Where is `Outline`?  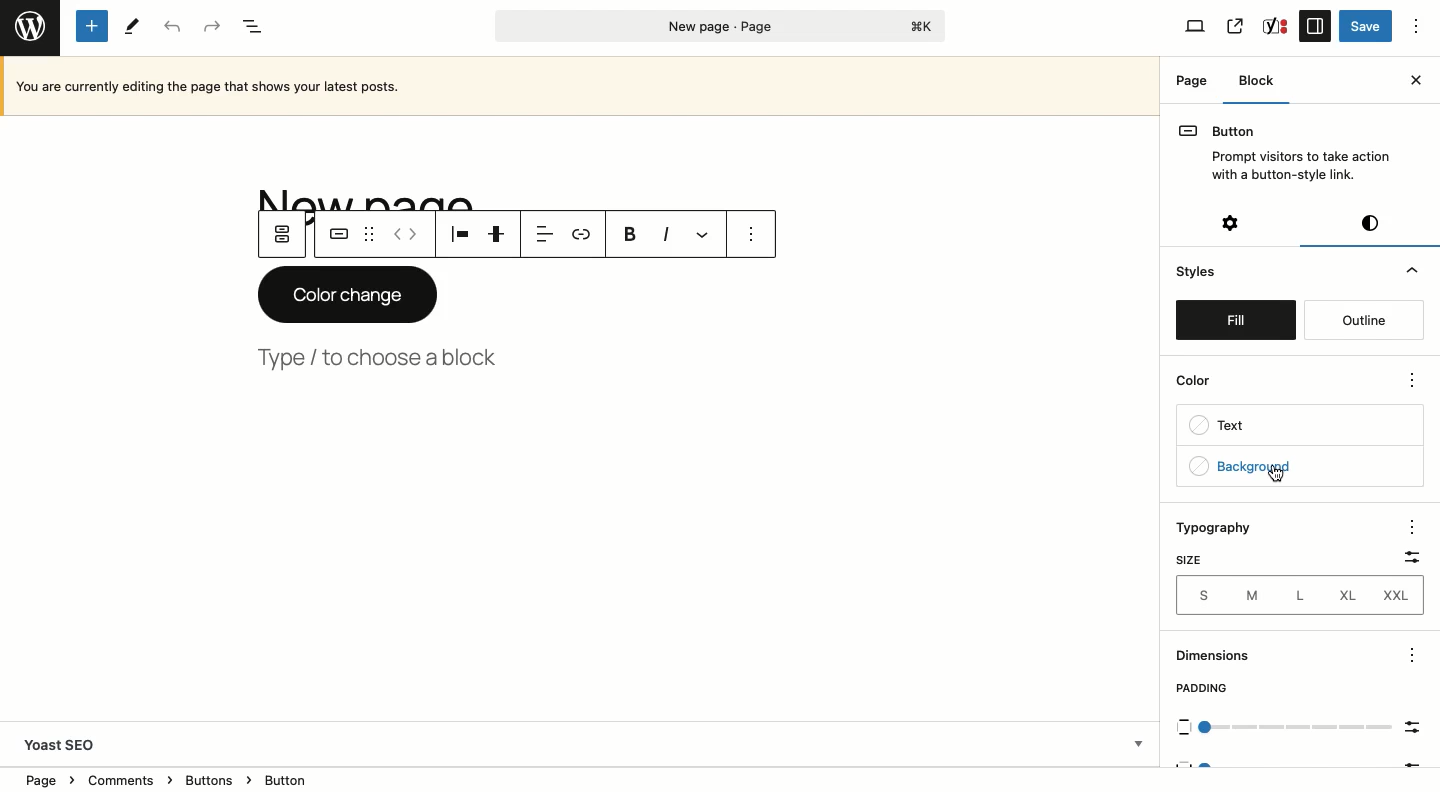 Outline is located at coordinates (1367, 318).